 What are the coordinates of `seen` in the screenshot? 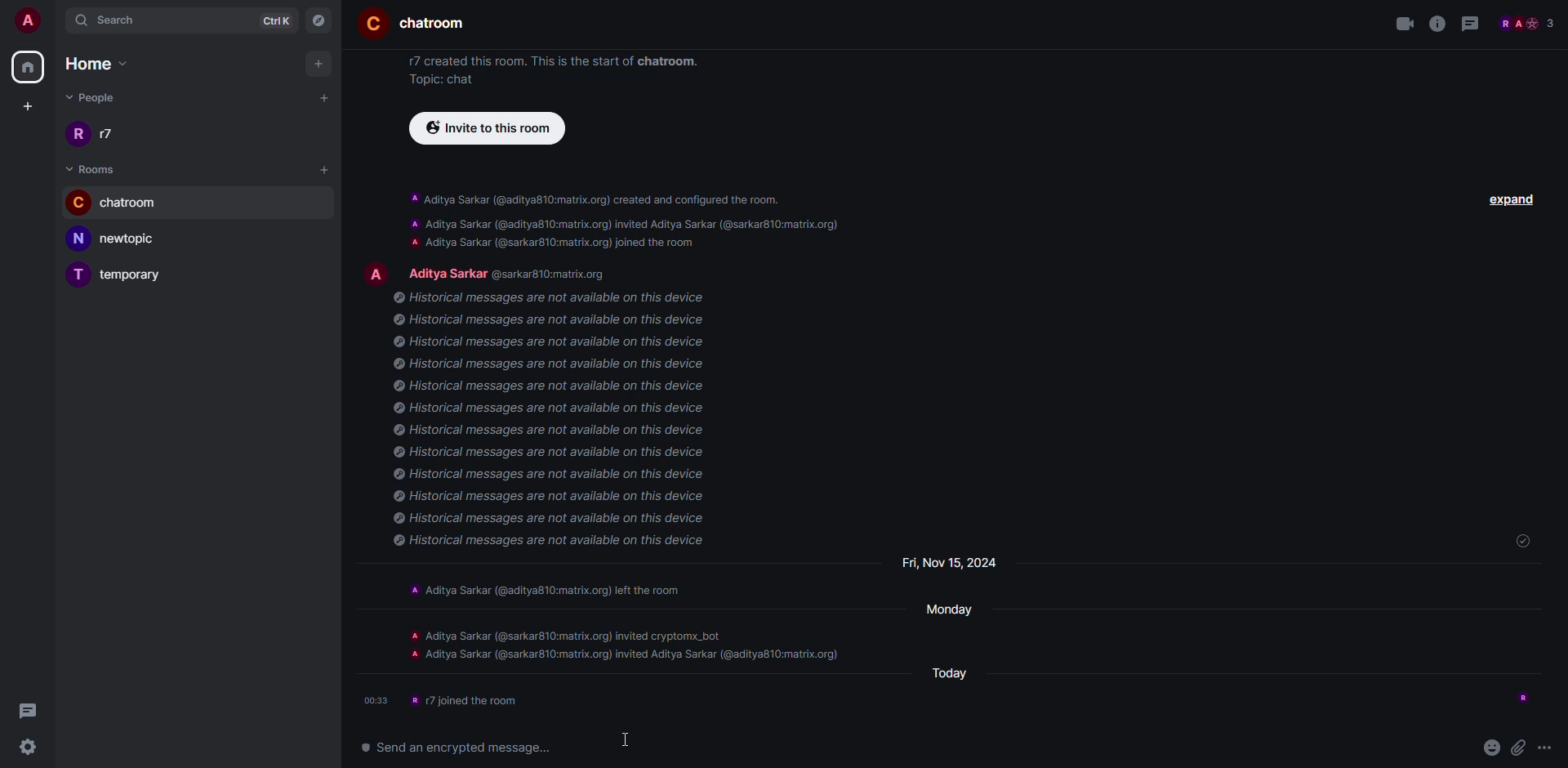 It's located at (1519, 697).